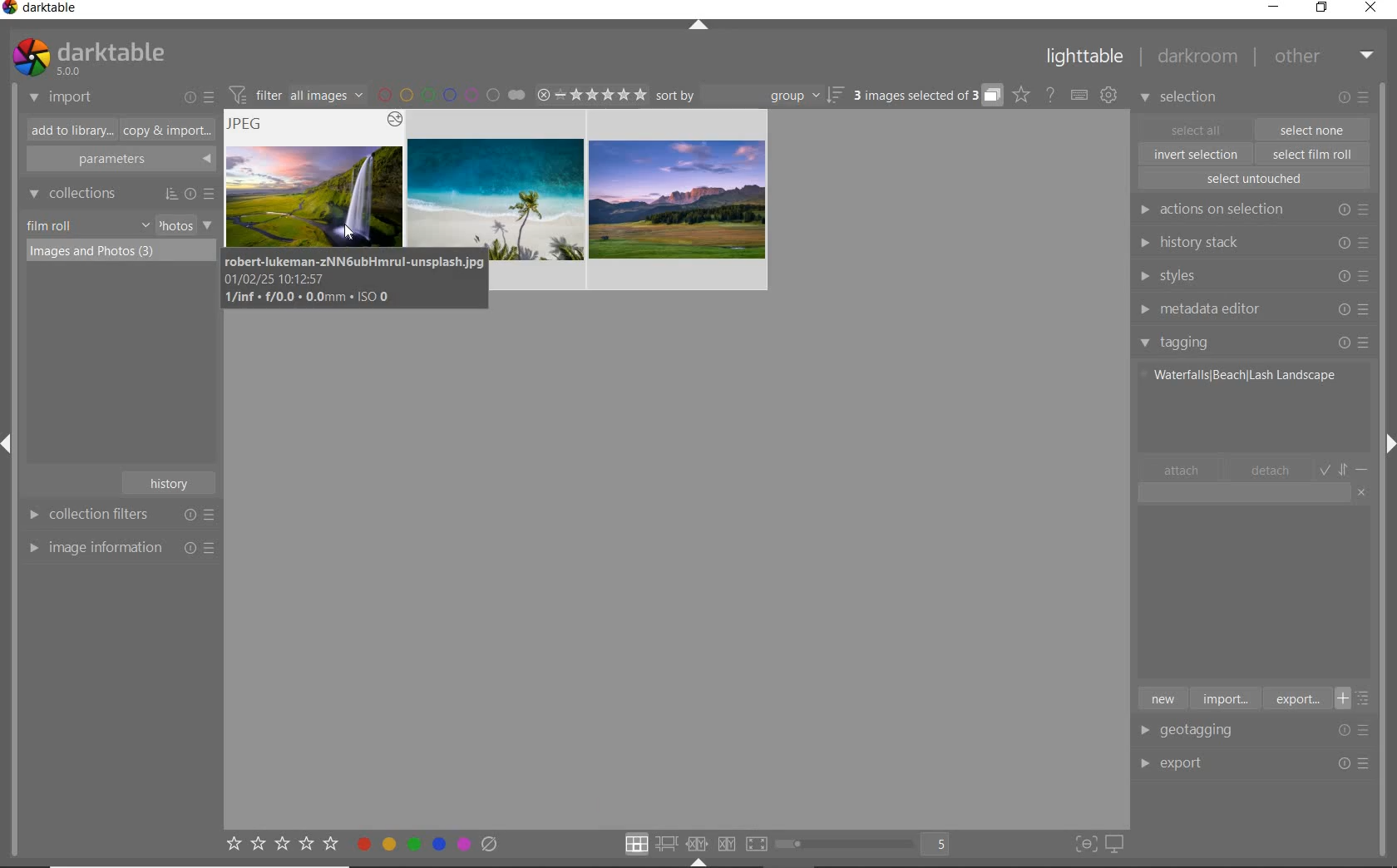  I want to click on detach, so click(1271, 471).